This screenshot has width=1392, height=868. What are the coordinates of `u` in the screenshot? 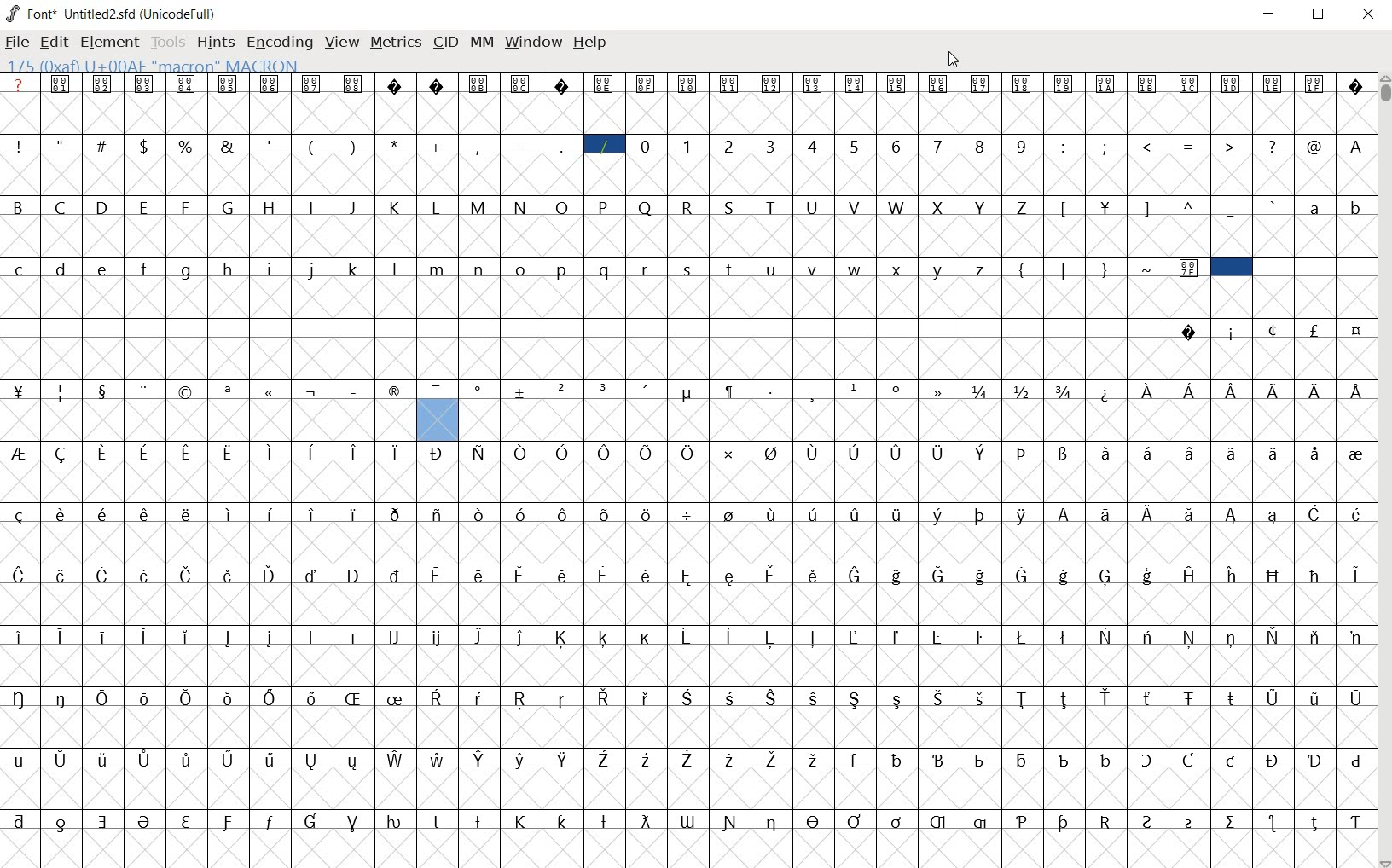 It's located at (774, 270).